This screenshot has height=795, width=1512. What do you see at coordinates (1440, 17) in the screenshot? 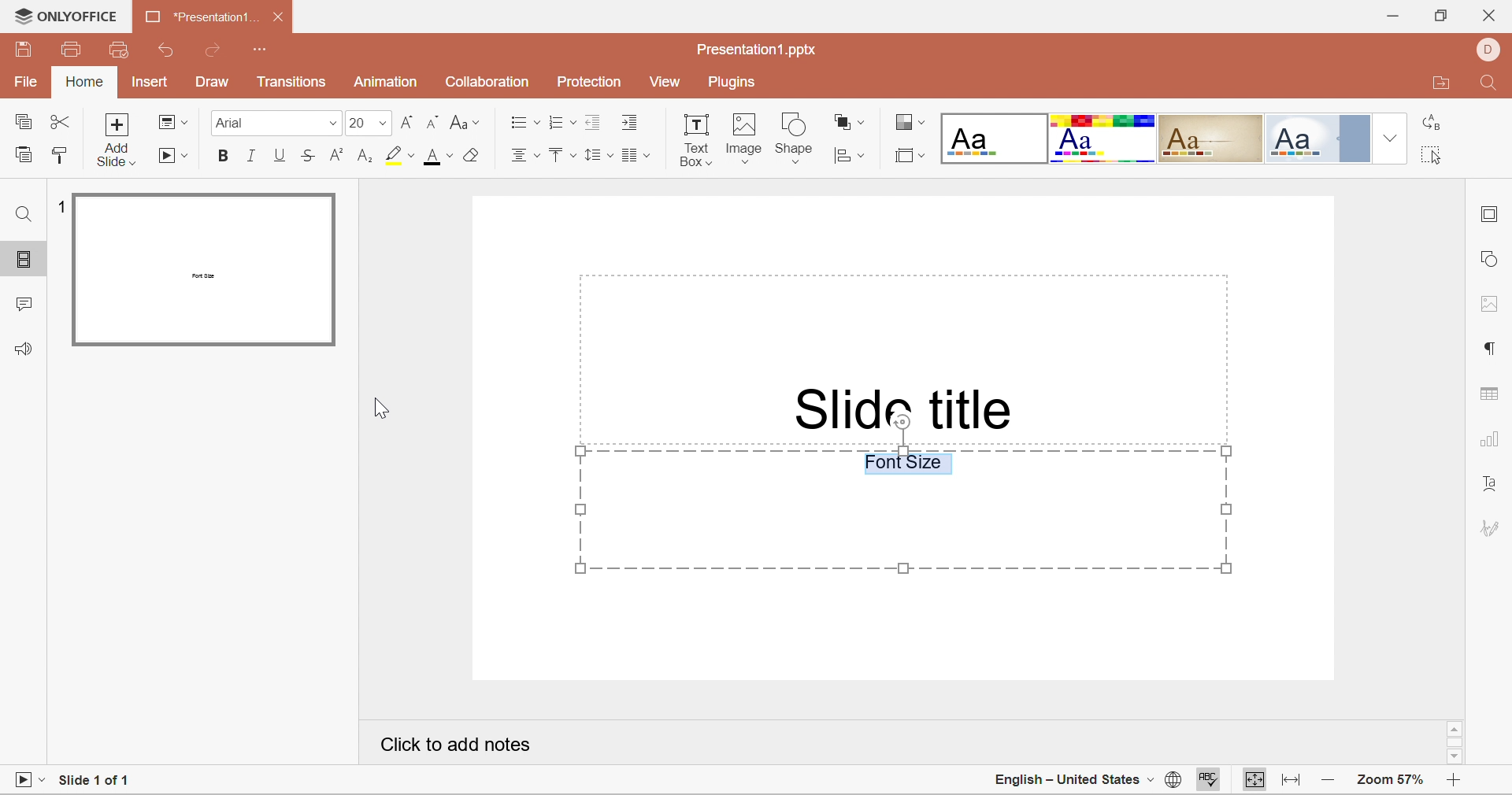
I see `Restore Down` at bounding box center [1440, 17].